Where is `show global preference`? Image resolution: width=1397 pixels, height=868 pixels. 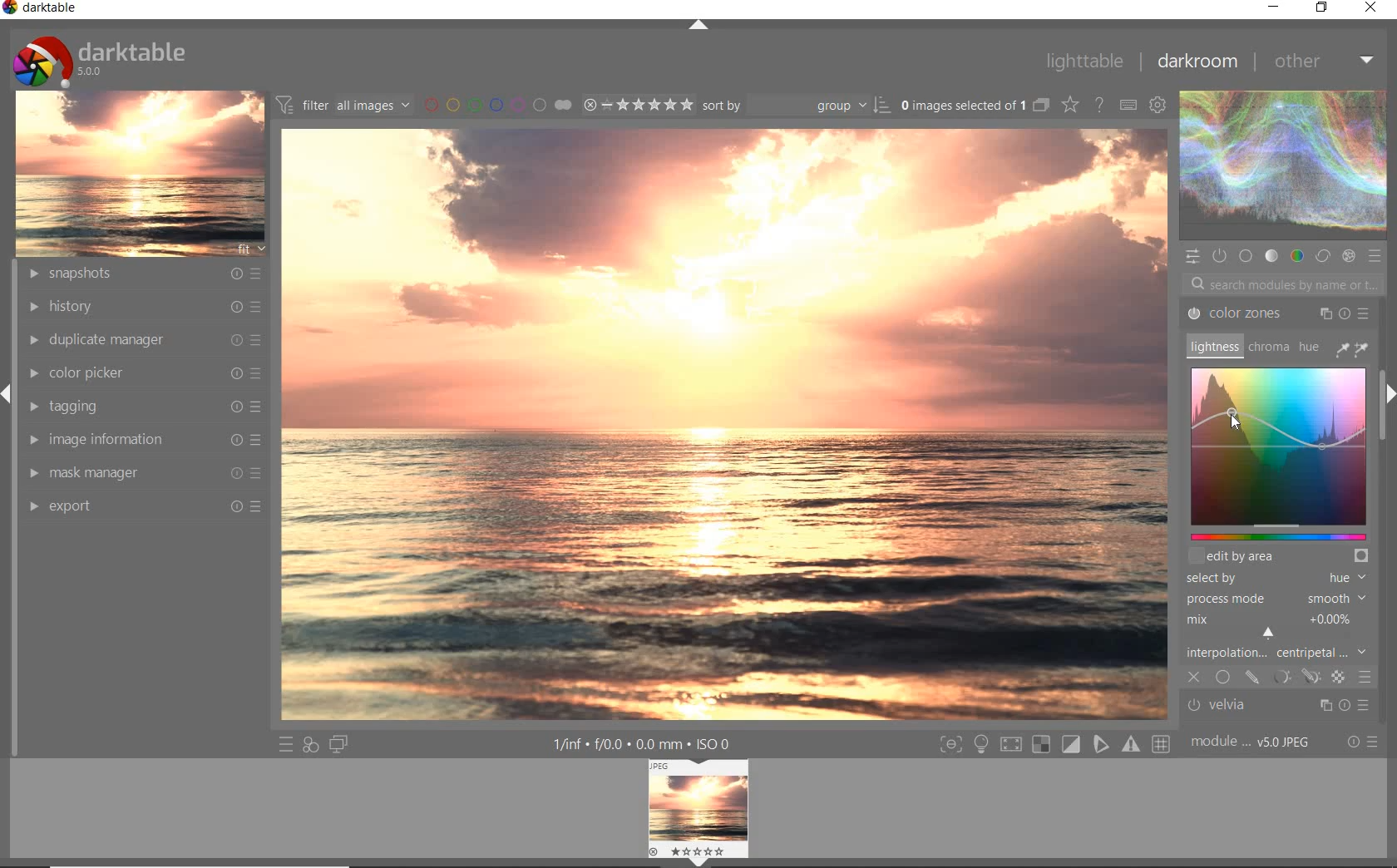 show global preference is located at coordinates (1159, 104).